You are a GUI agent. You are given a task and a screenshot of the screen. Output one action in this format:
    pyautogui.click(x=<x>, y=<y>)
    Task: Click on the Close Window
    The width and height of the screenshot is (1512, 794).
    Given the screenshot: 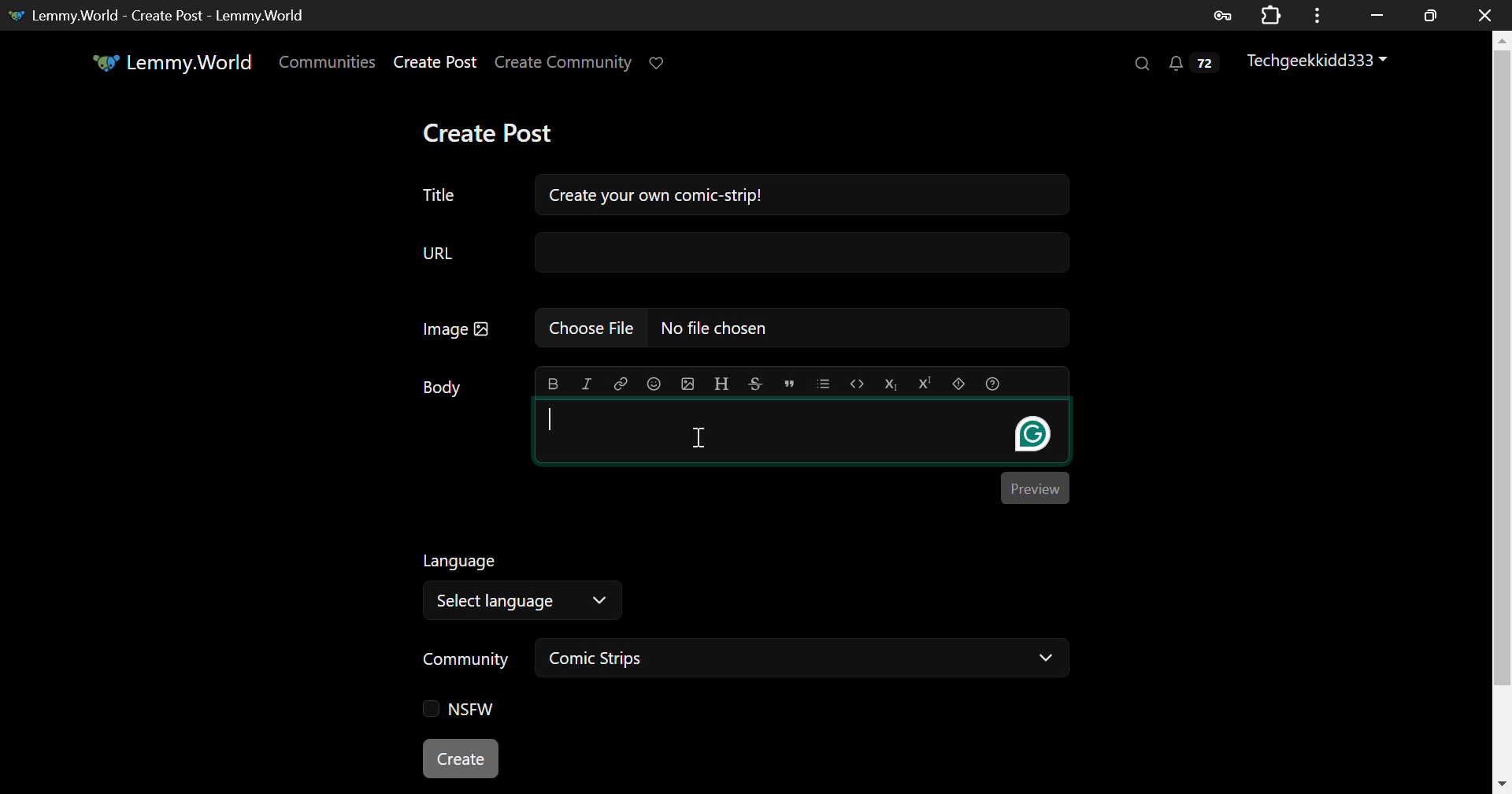 What is the action you would take?
    pyautogui.click(x=1488, y=15)
    